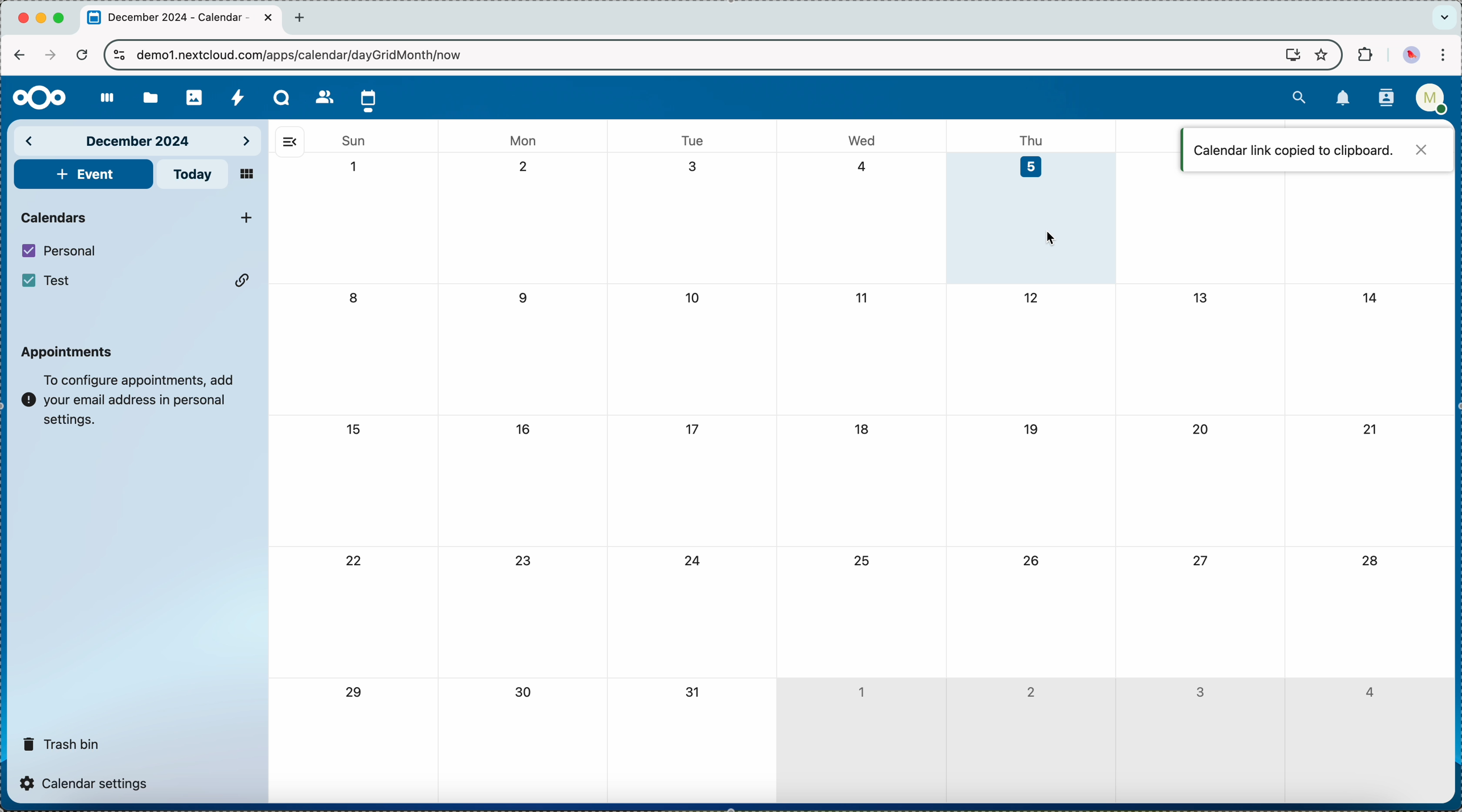  I want to click on photos, so click(194, 94).